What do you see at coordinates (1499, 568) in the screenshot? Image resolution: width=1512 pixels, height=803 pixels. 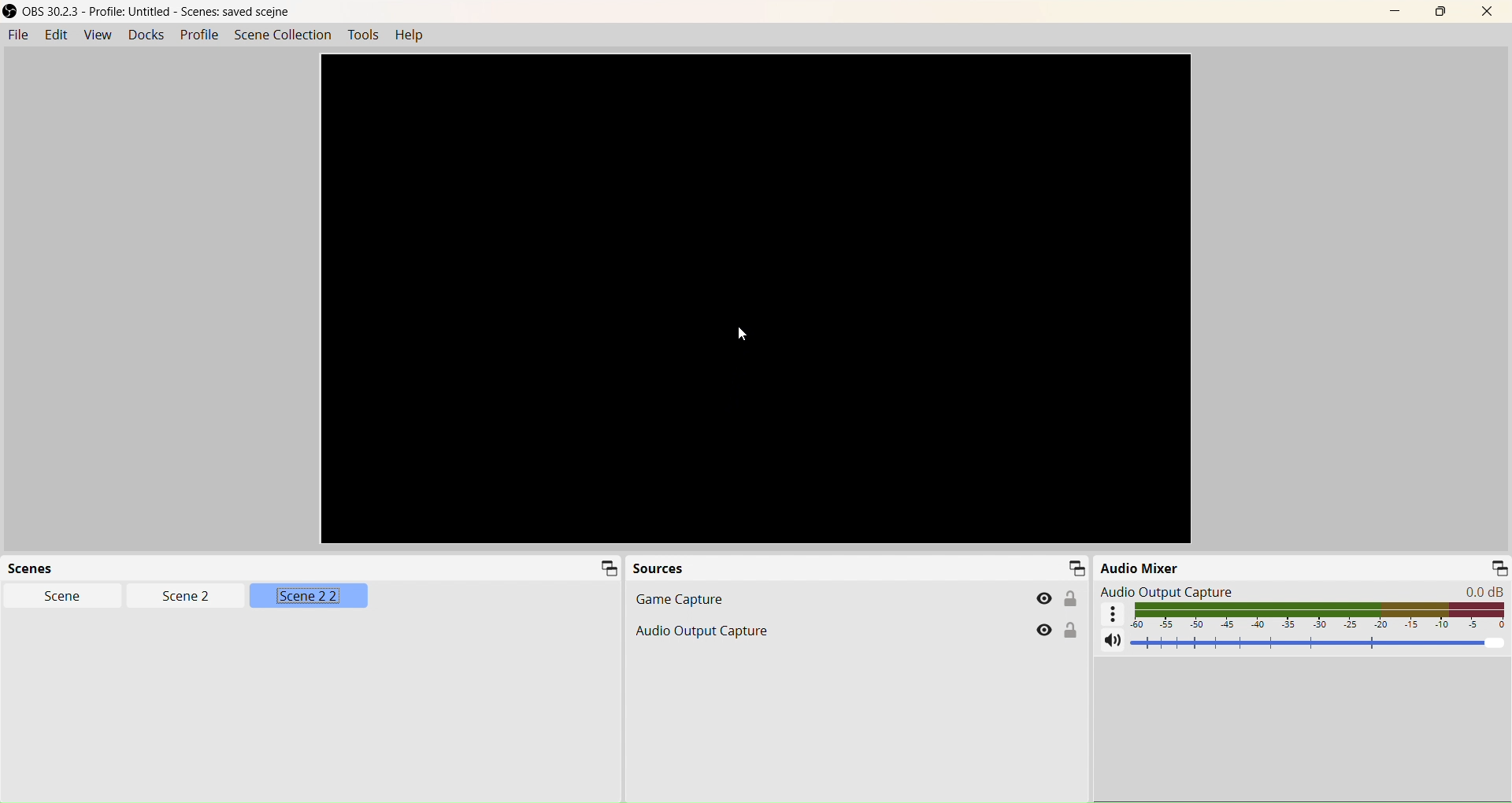 I see `Minimize` at bounding box center [1499, 568].